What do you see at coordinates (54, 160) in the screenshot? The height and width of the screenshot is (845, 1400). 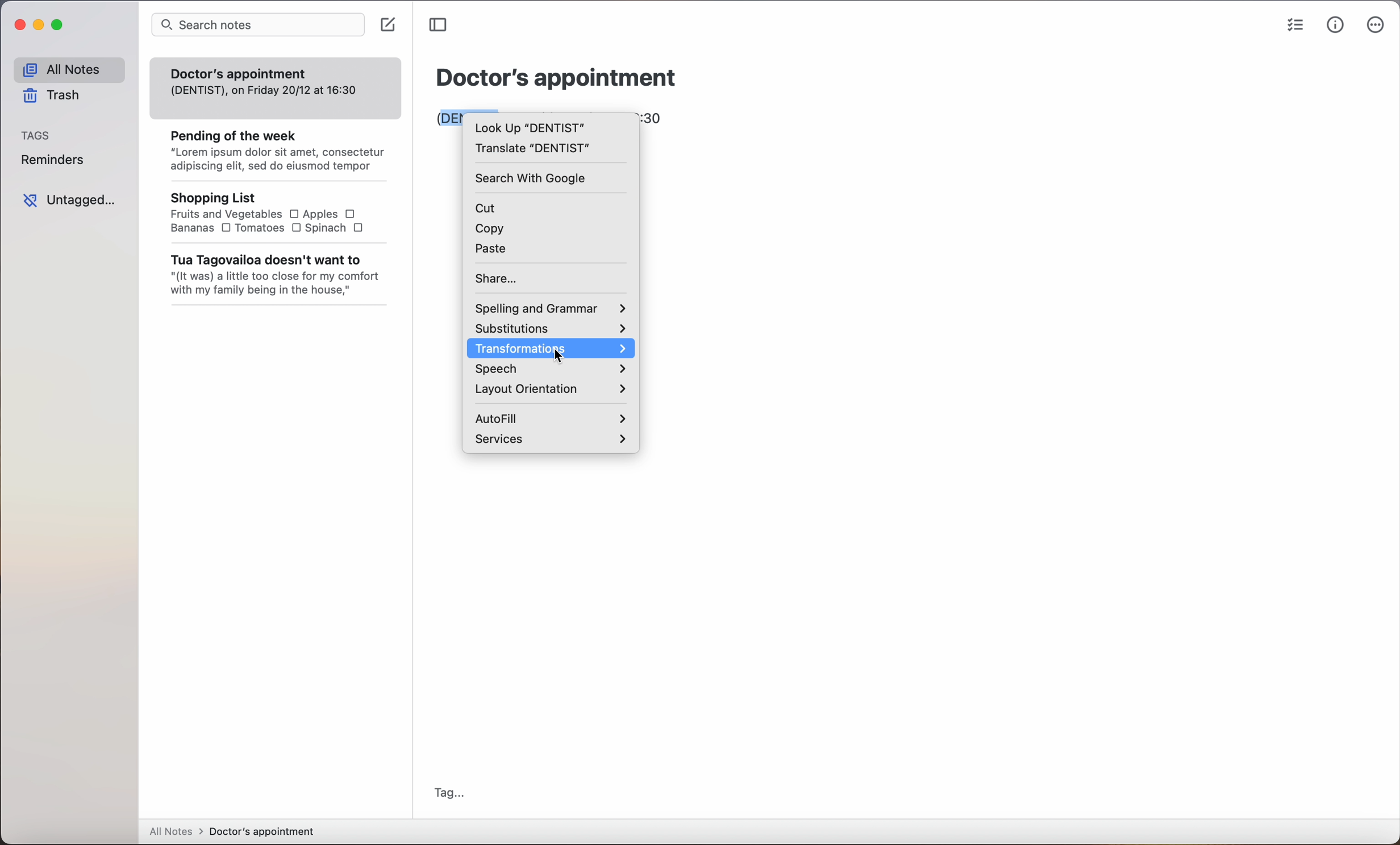 I see `reminders` at bounding box center [54, 160].